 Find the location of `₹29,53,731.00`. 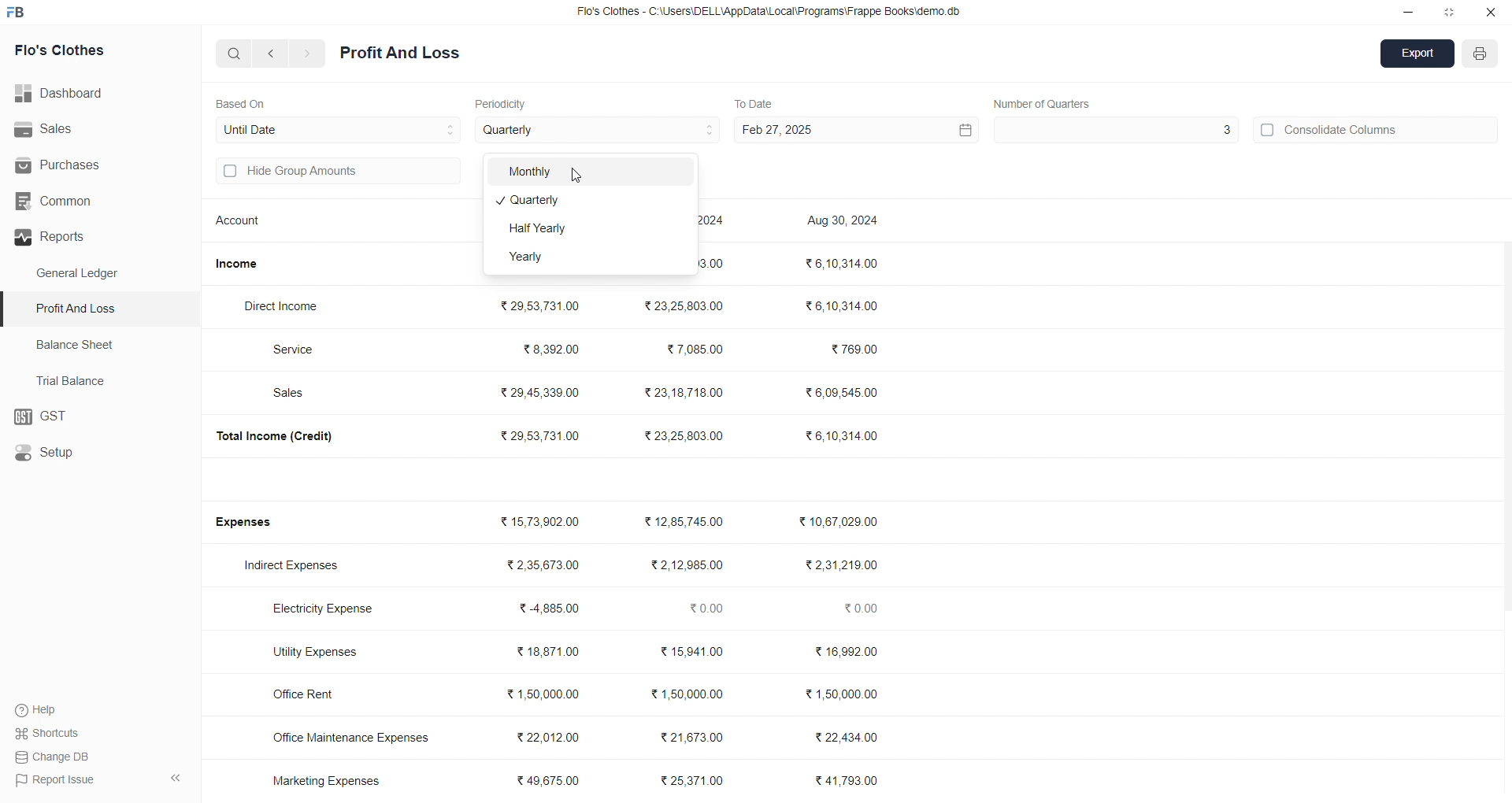

₹29,53,731.00 is located at coordinates (538, 303).